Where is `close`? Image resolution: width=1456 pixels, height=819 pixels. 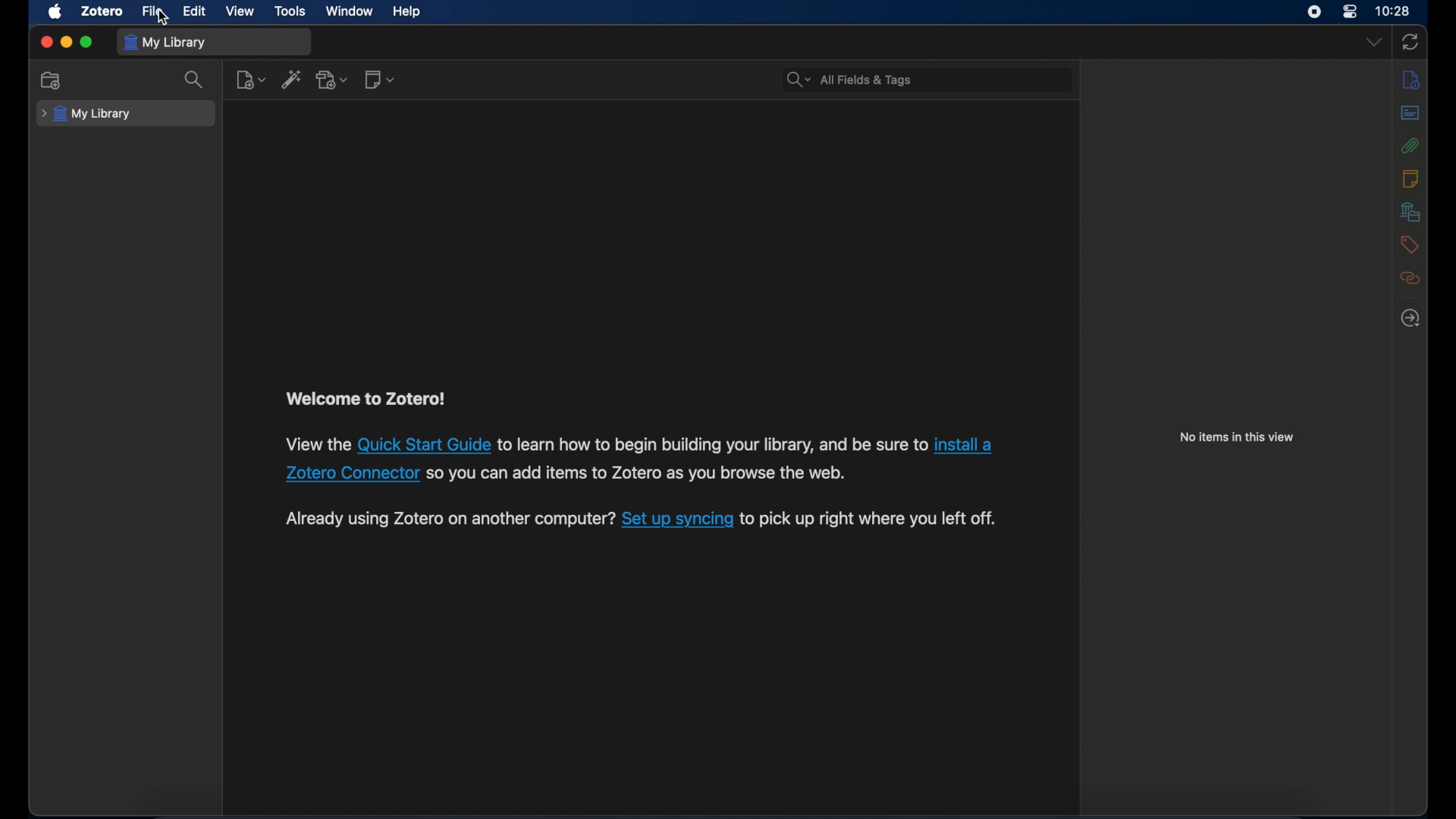 close is located at coordinates (45, 42).